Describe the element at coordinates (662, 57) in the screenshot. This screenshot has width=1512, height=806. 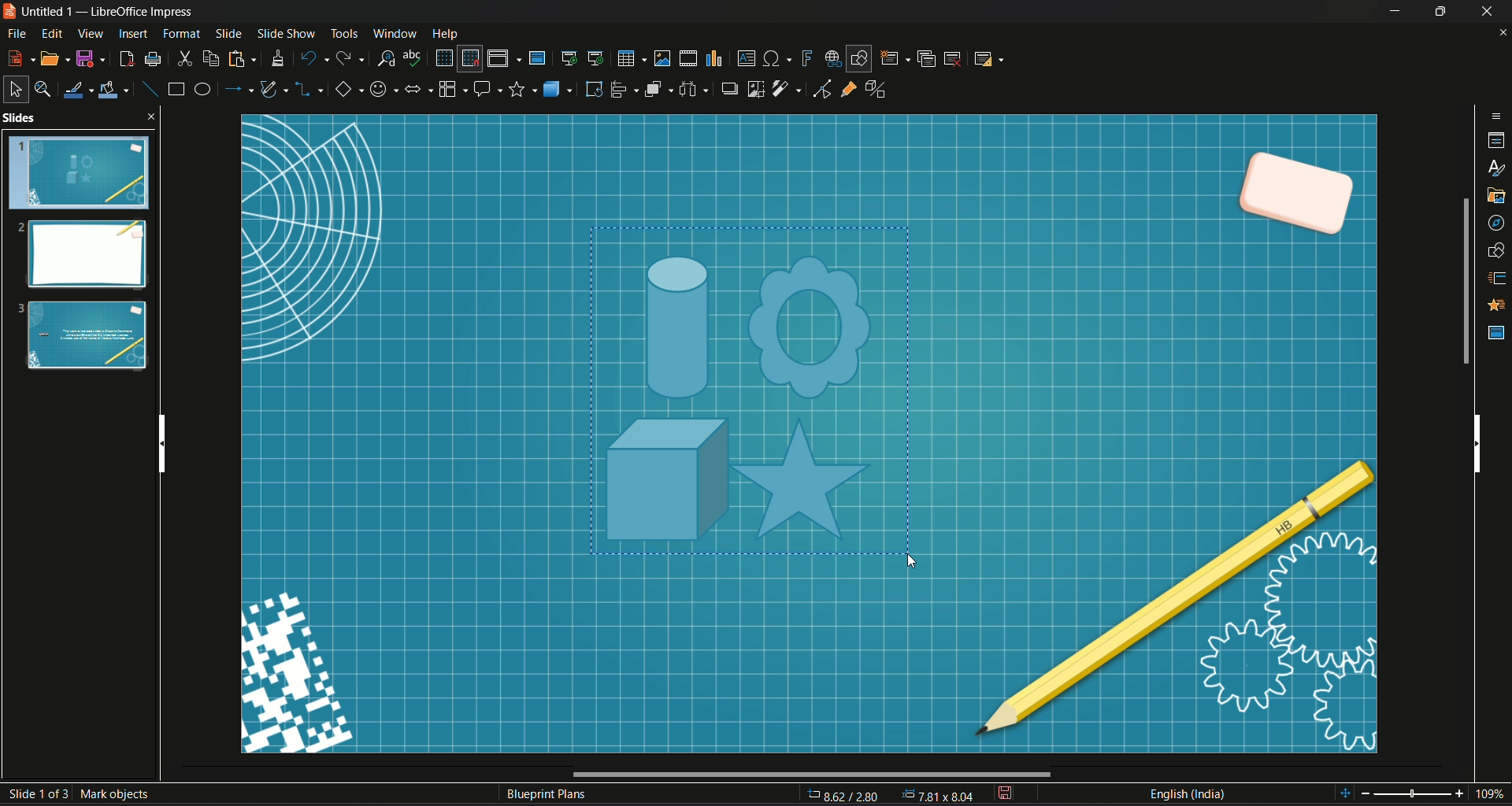
I see `insert image` at that location.